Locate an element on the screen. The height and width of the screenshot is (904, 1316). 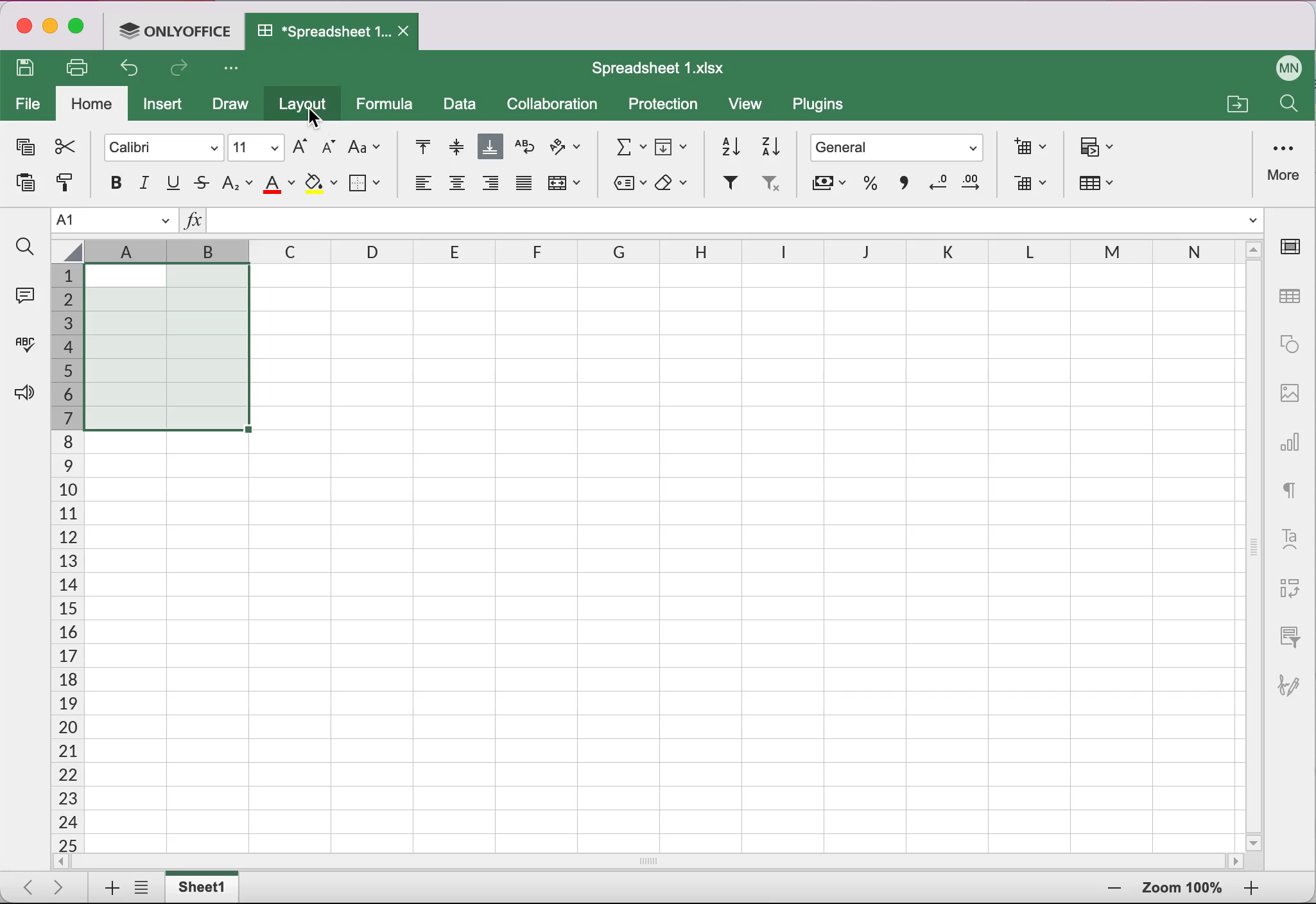
comments is located at coordinates (23, 293).